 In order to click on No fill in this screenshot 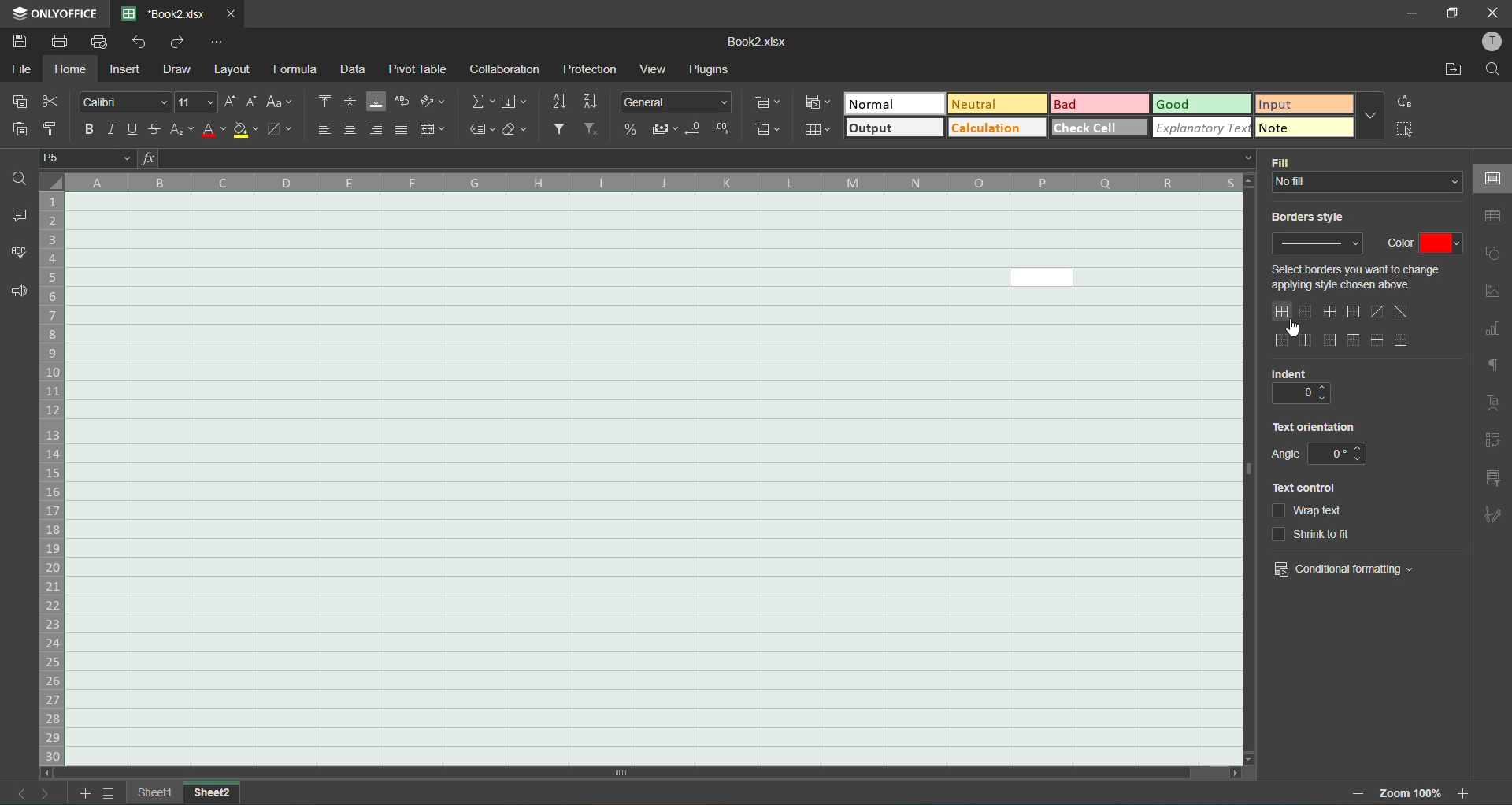, I will do `click(1366, 181)`.